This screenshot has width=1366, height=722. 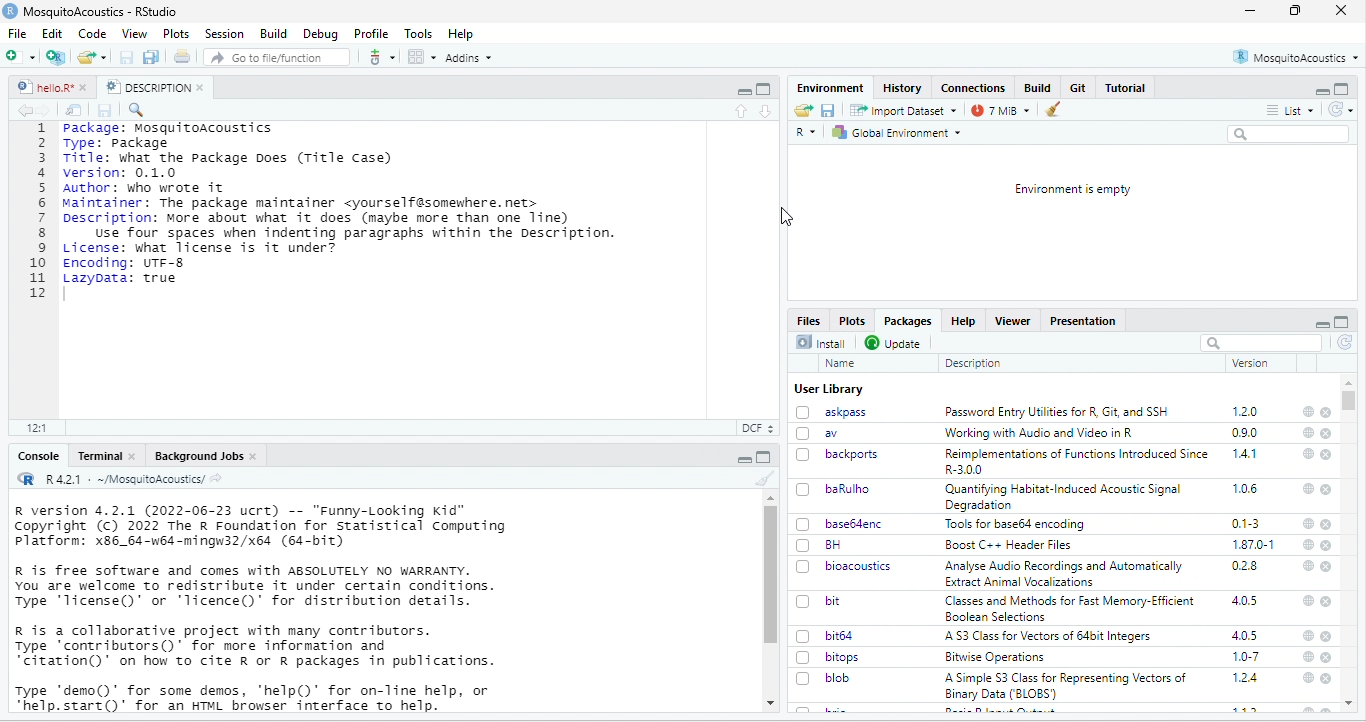 What do you see at coordinates (1320, 89) in the screenshot?
I see `minimize` at bounding box center [1320, 89].